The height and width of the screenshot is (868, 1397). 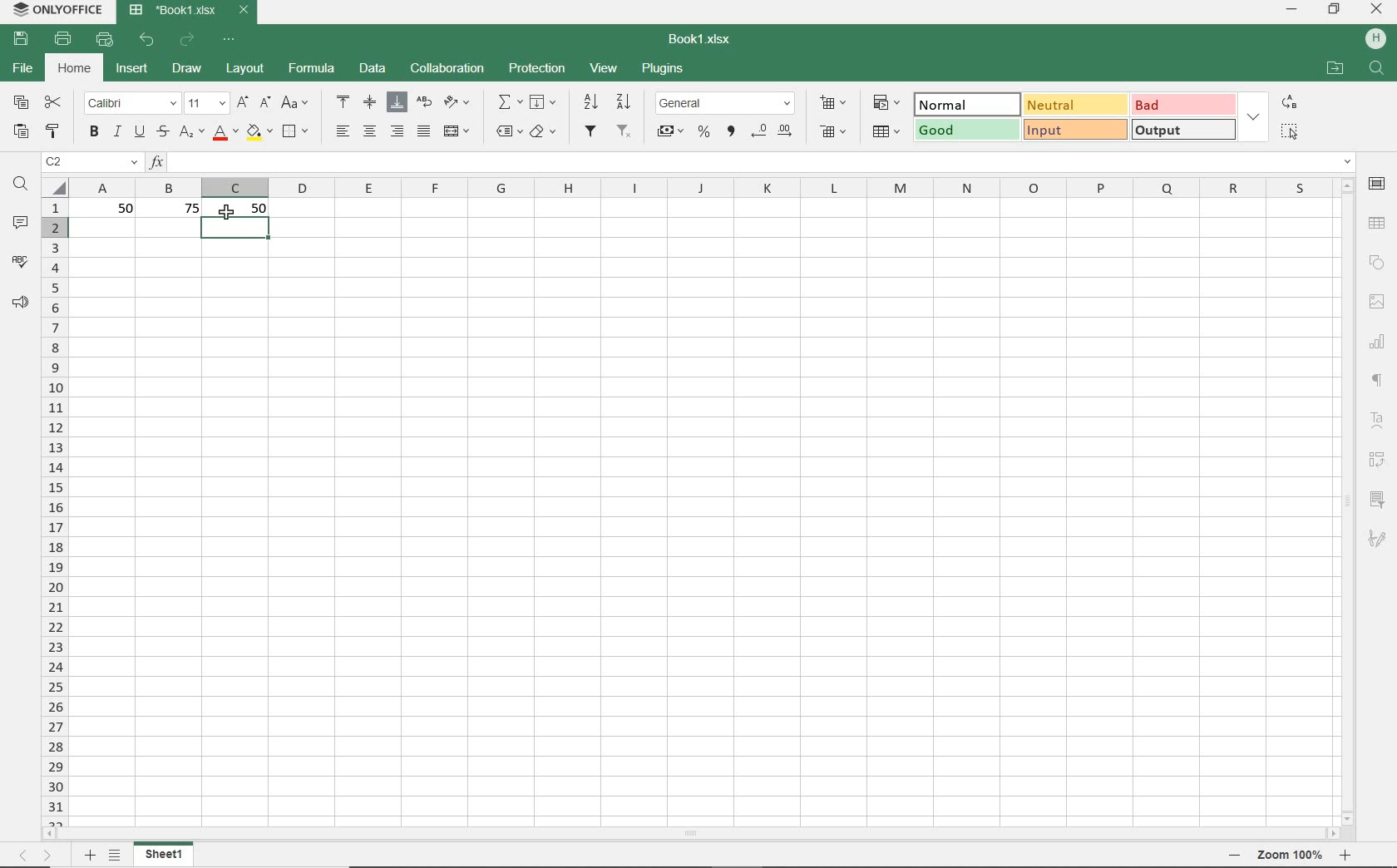 What do you see at coordinates (64, 41) in the screenshot?
I see `print` at bounding box center [64, 41].